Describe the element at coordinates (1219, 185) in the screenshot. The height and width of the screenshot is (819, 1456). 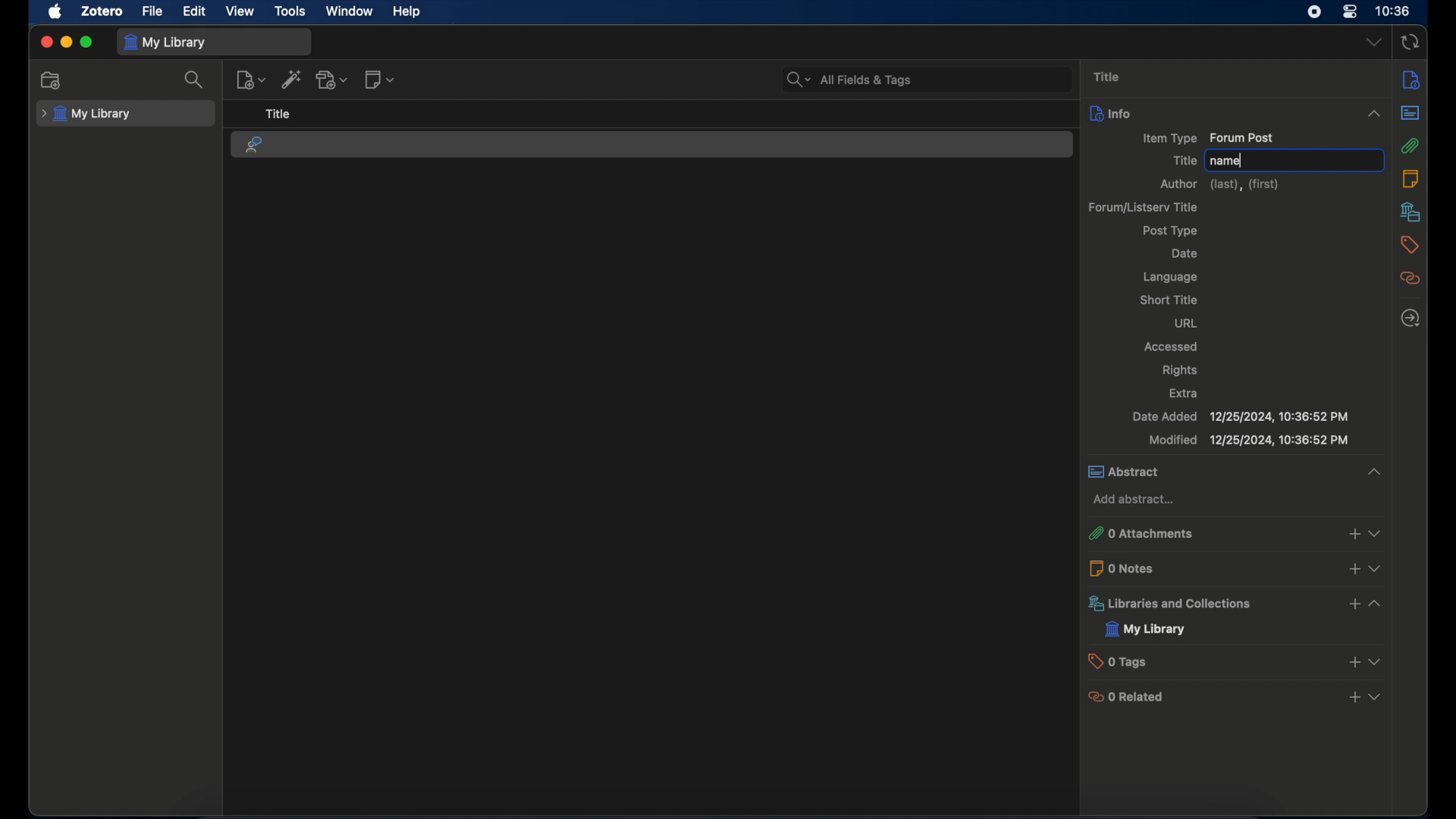
I see `author` at that location.